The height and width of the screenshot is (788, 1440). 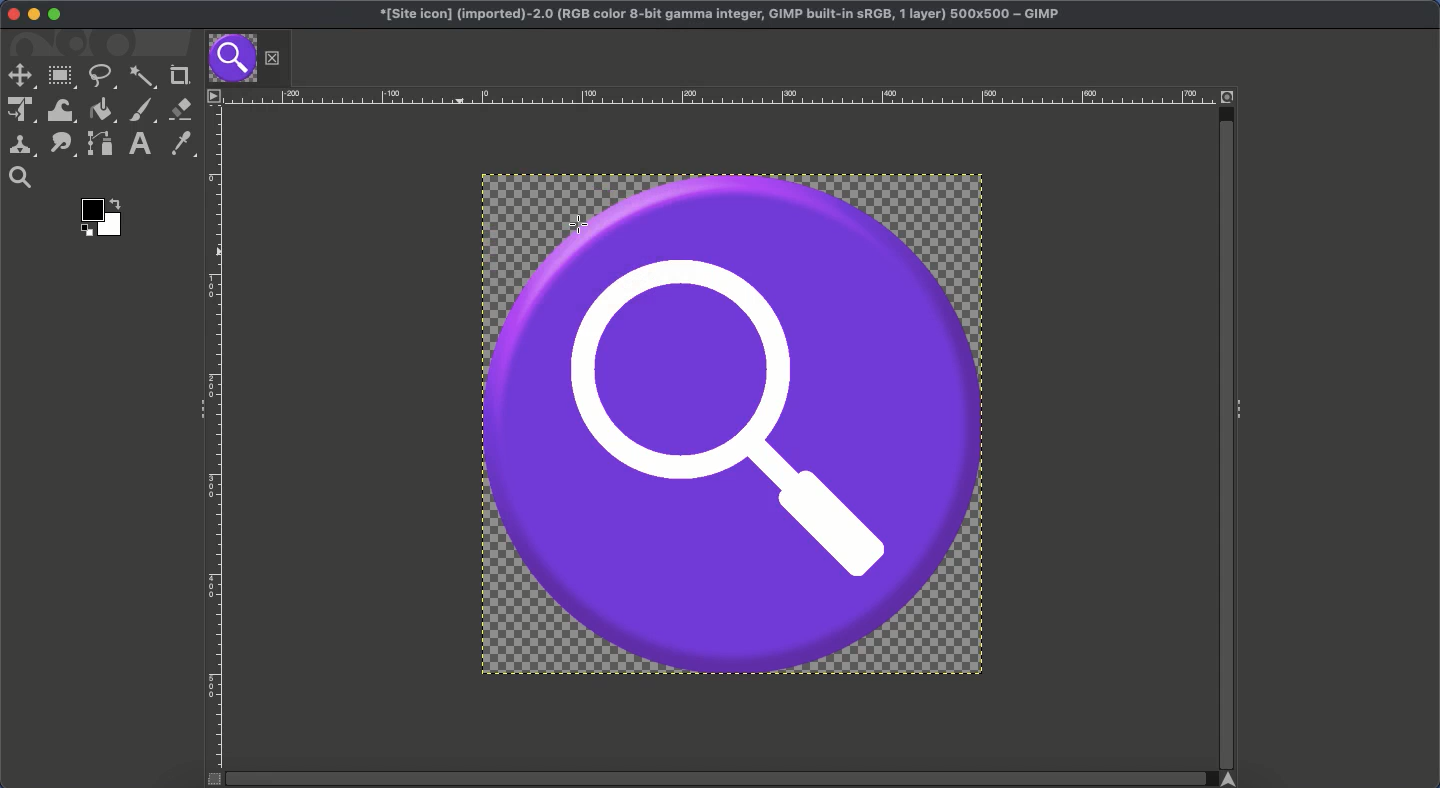 What do you see at coordinates (59, 110) in the screenshot?
I see `Warp transformation` at bounding box center [59, 110].